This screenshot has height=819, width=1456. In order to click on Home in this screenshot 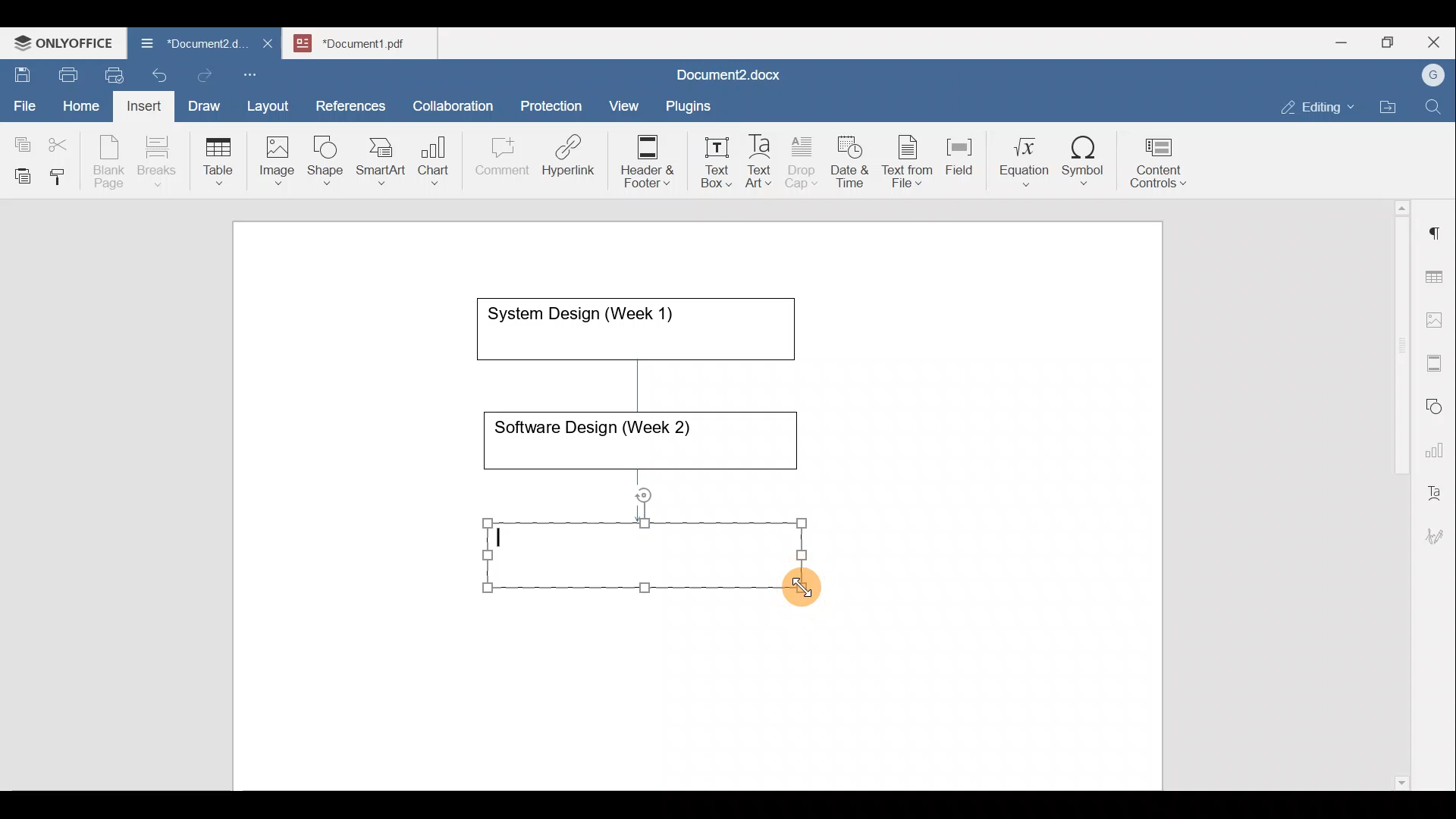, I will do `click(82, 105)`.